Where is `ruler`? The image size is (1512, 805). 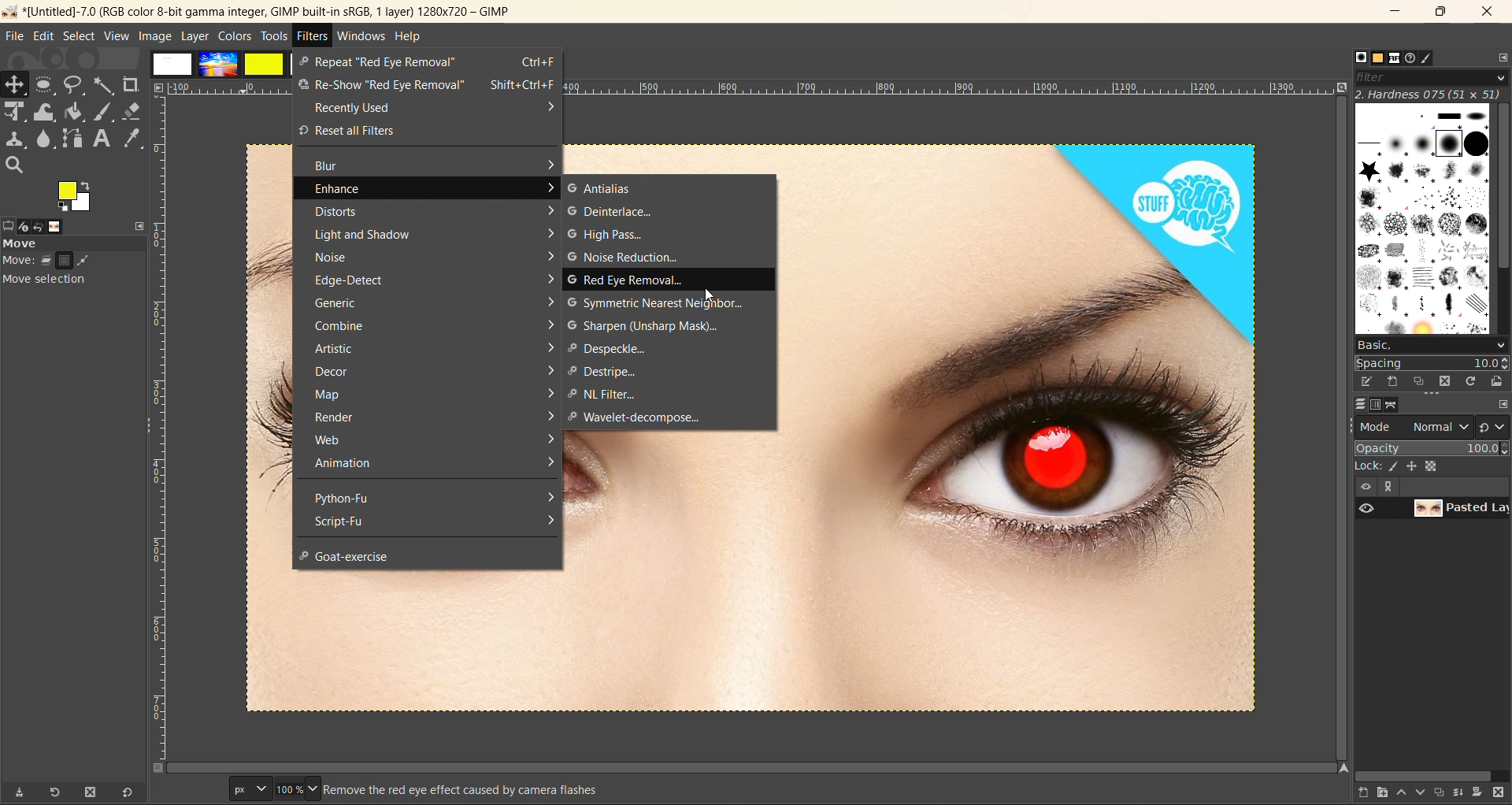 ruler is located at coordinates (957, 87).